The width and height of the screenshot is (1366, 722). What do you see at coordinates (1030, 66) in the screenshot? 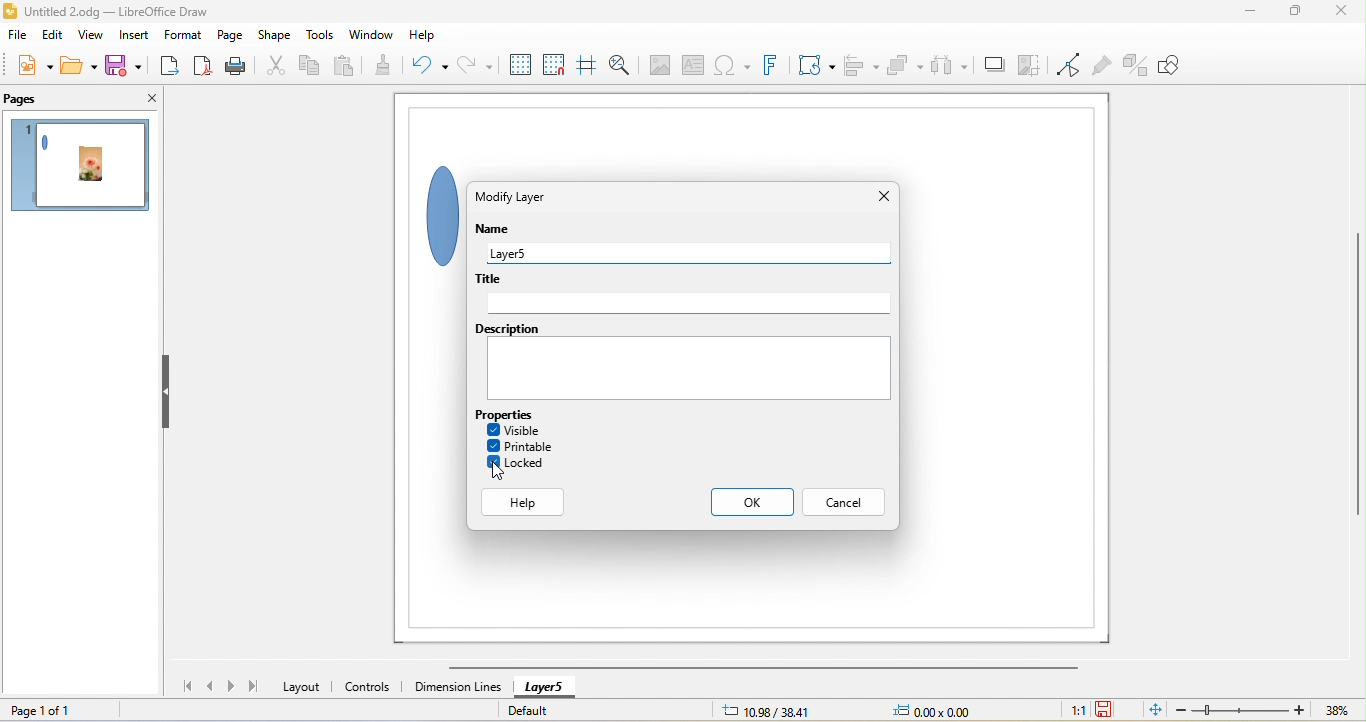
I see `crop image` at bounding box center [1030, 66].